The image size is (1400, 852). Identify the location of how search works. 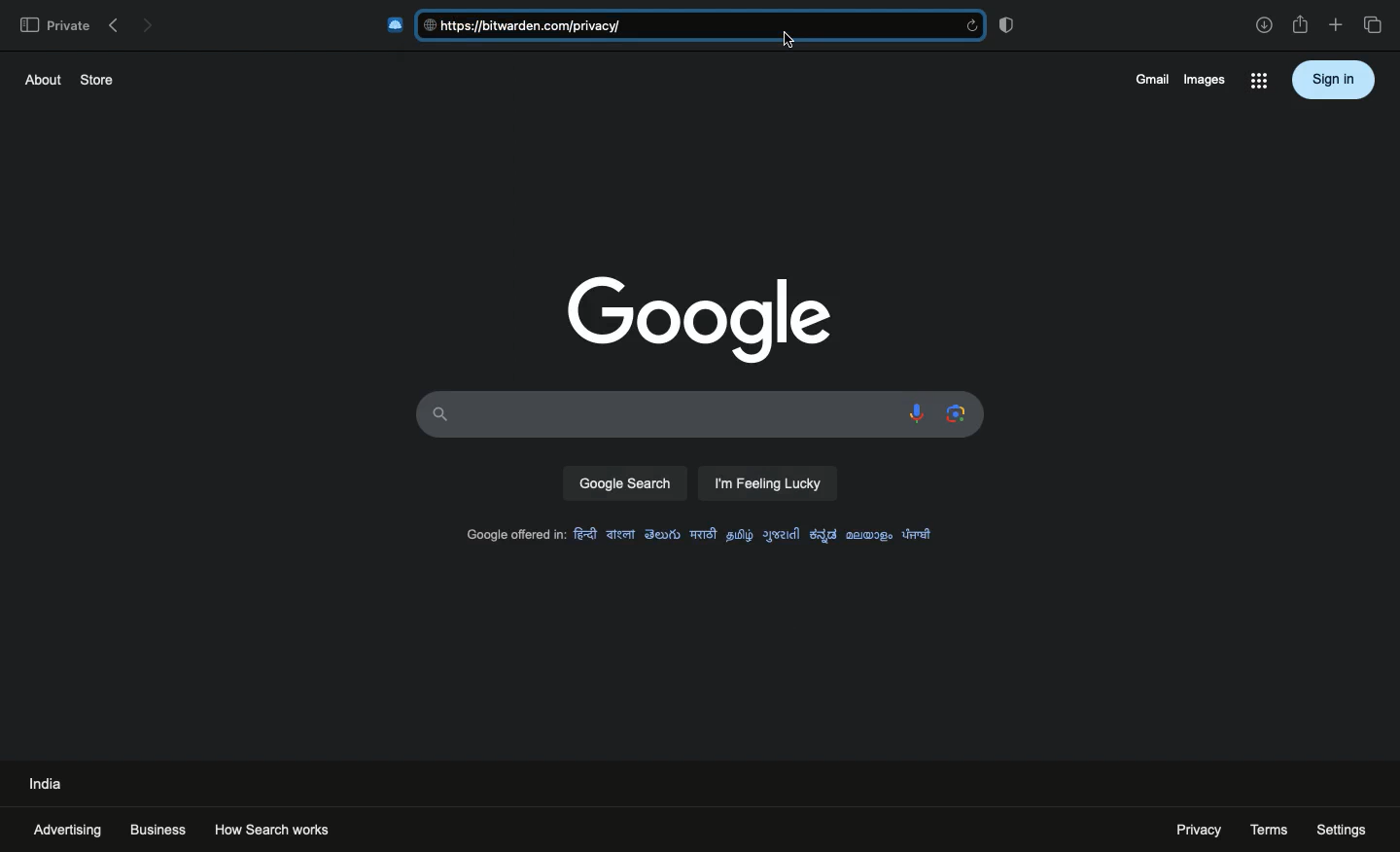
(292, 829).